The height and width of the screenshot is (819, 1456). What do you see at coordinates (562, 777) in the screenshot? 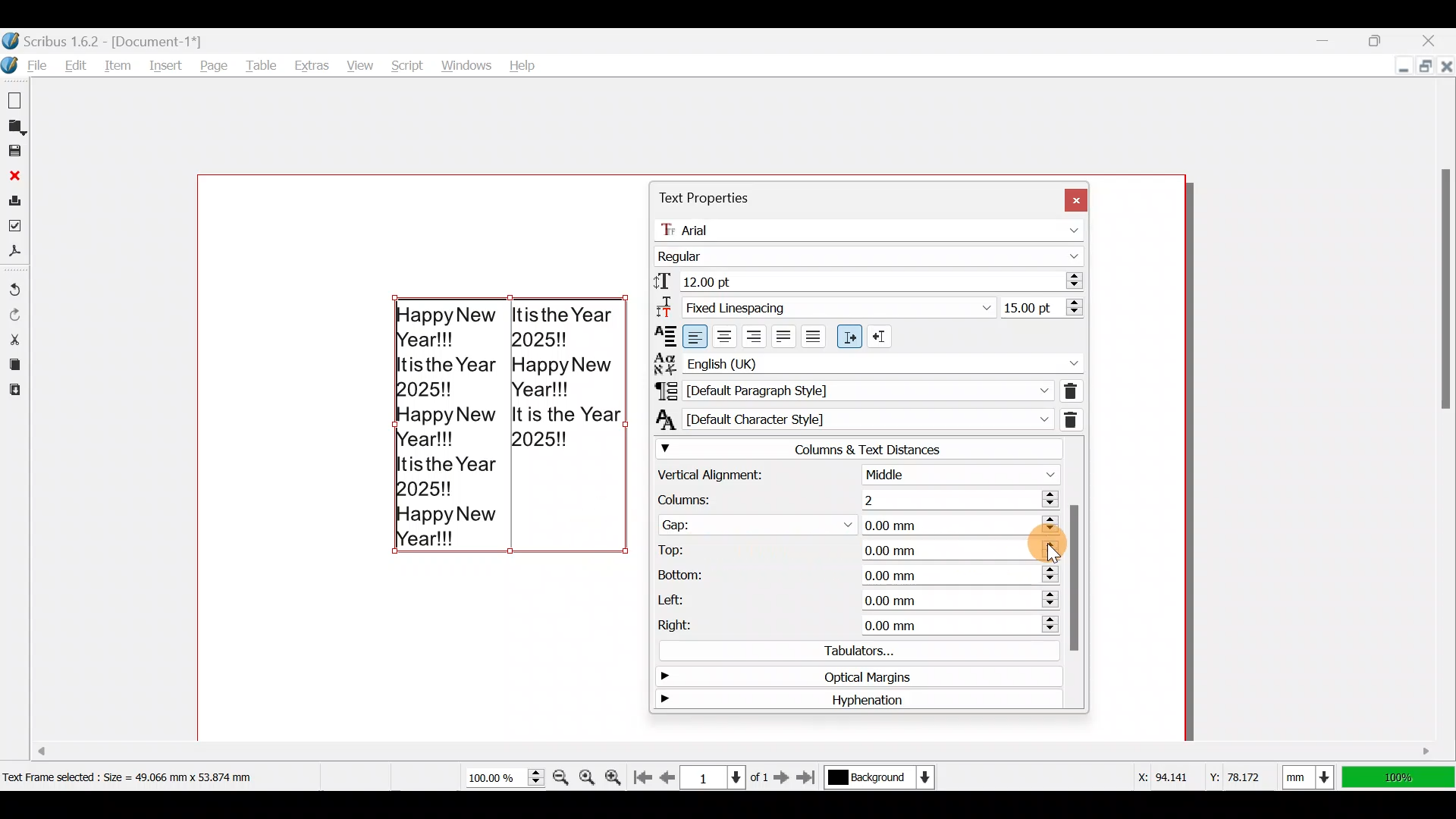
I see `Zoom out by the stepping value in tools preferences` at bounding box center [562, 777].